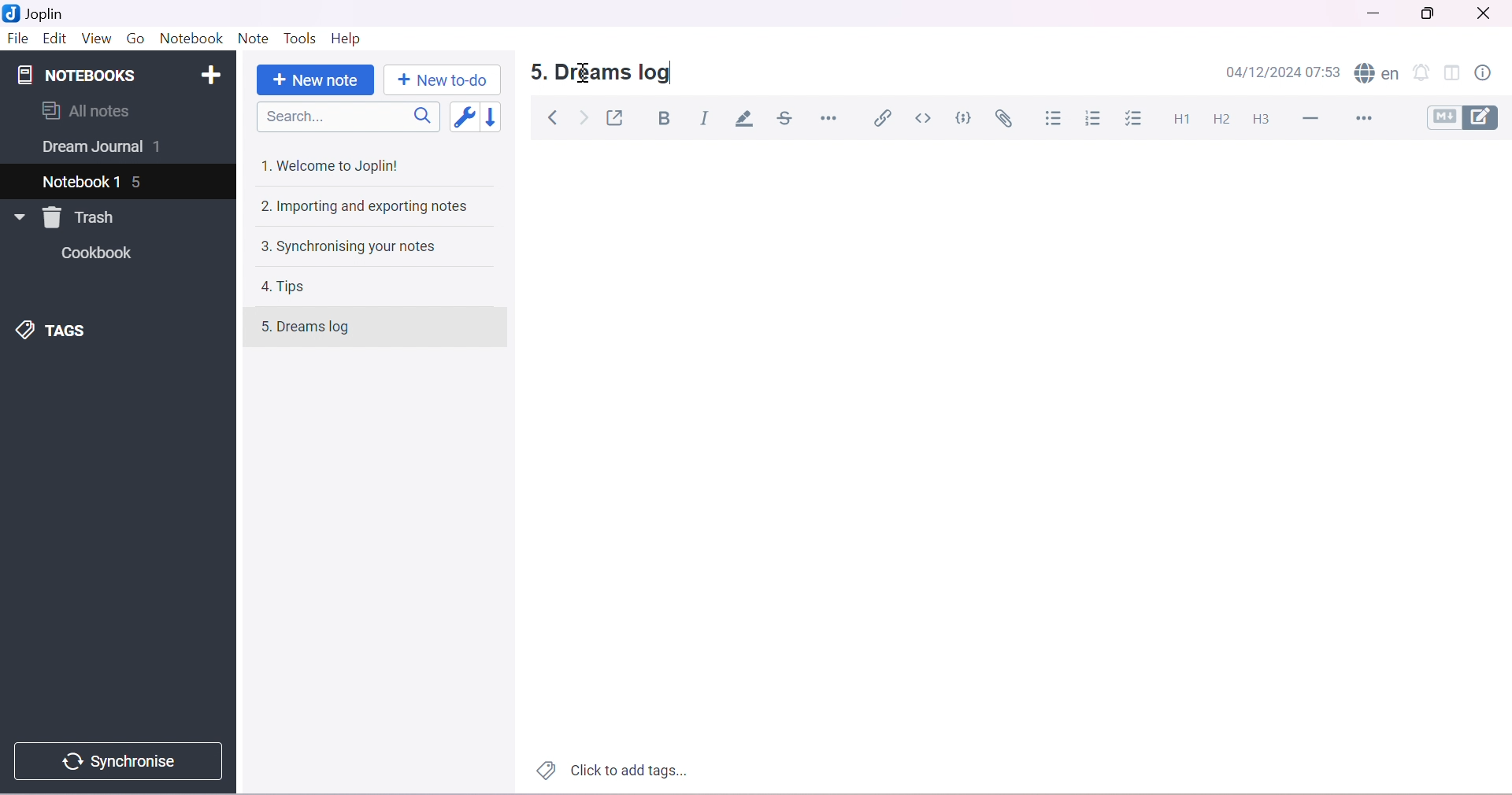 This screenshot has height=795, width=1512. What do you see at coordinates (609, 771) in the screenshot?
I see `Click to add tags` at bounding box center [609, 771].